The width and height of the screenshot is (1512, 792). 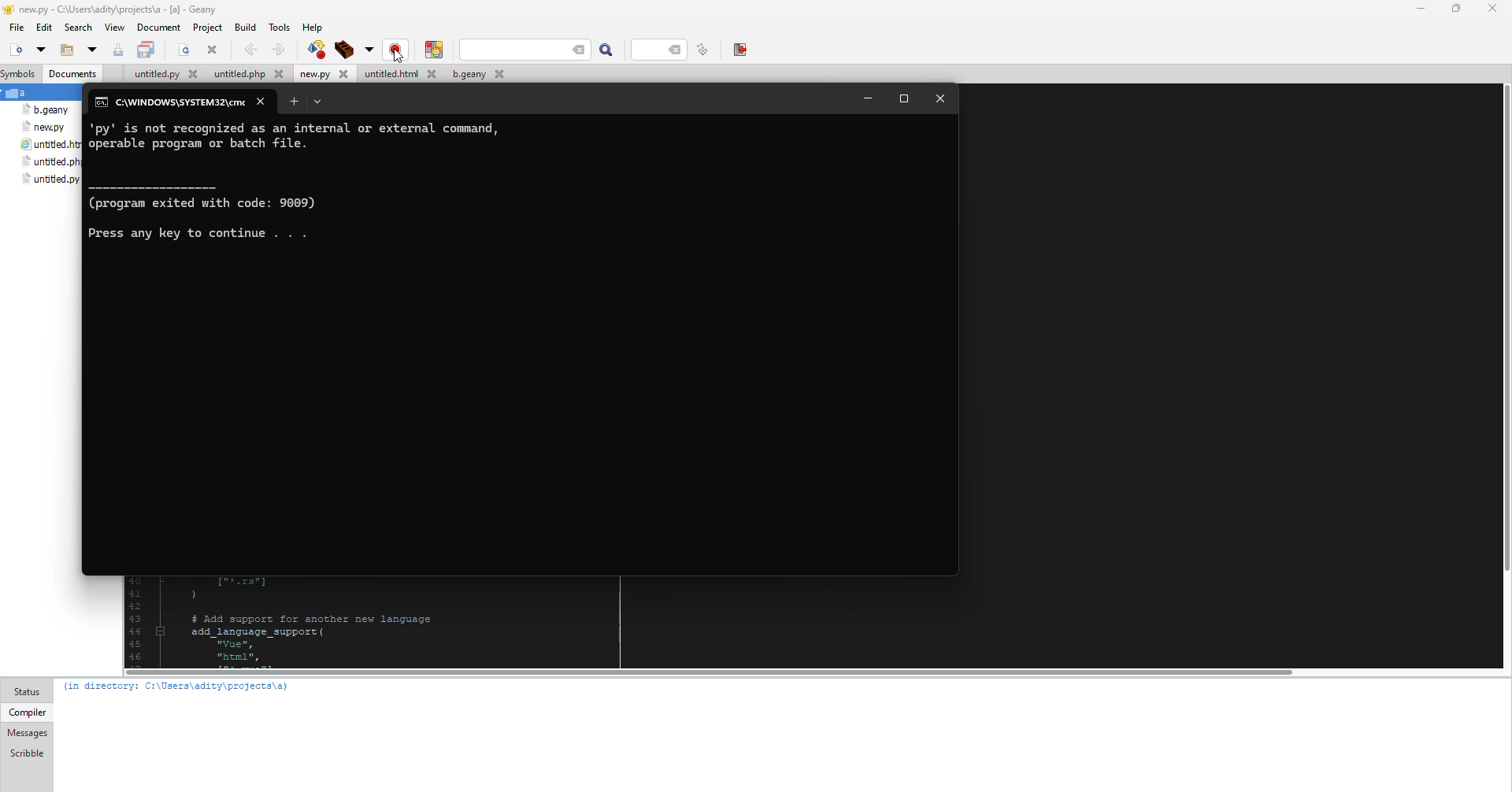 What do you see at coordinates (251, 49) in the screenshot?
I see `back` at bounding box center [251, 49].